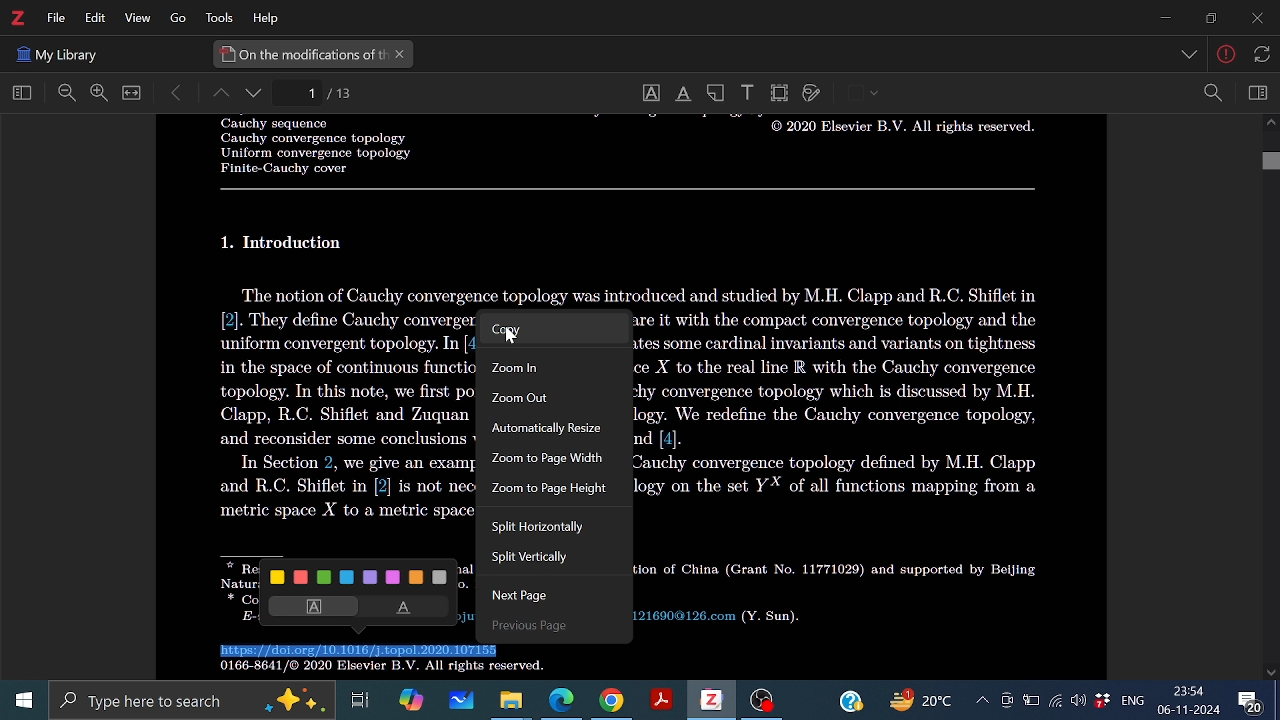 The image size is (1280, 720). What do you see at coordinates (17, 18) in the screenshot?
I see `Zotero` at bounding box center [17, 18].